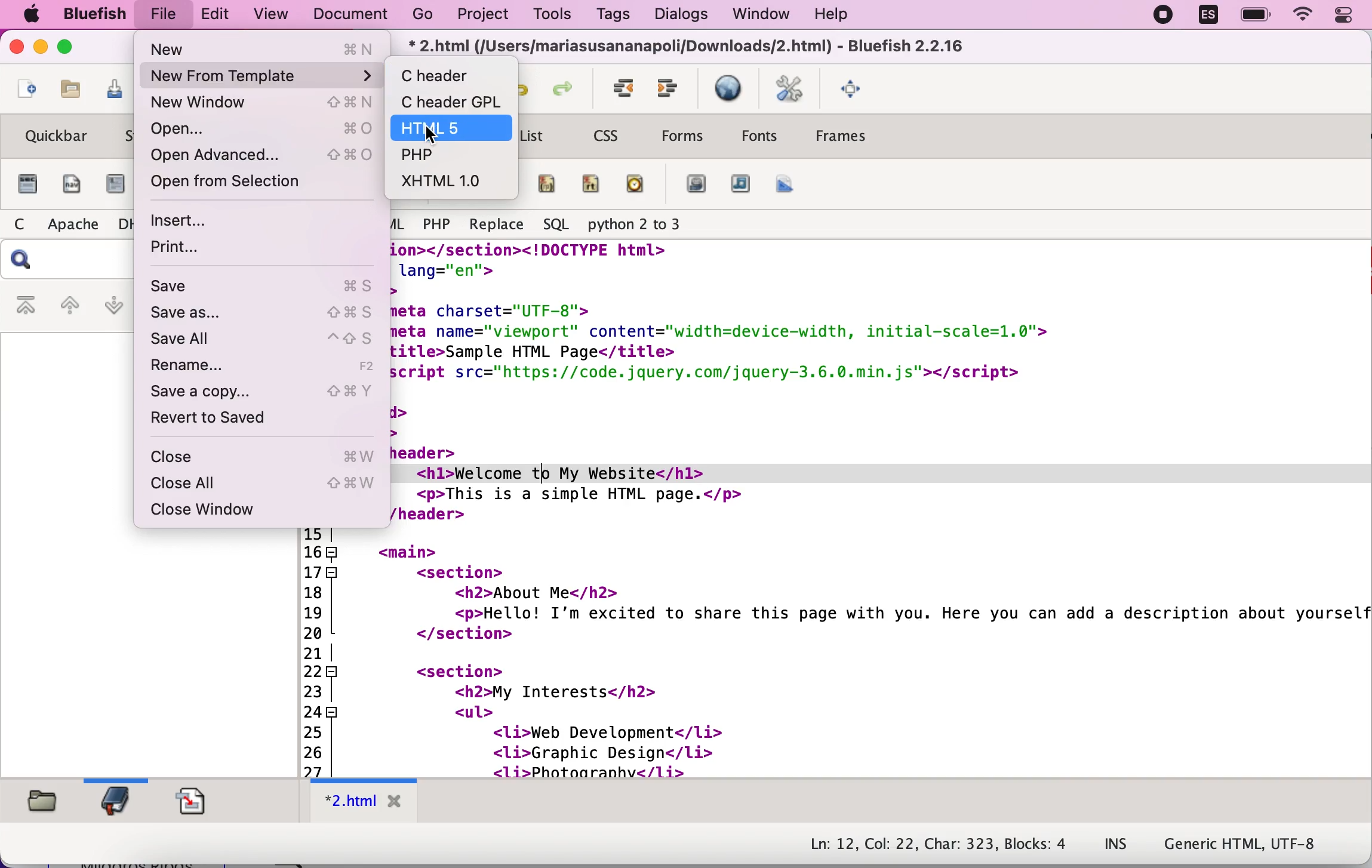  I want to click on INS, so click(1118, 839).